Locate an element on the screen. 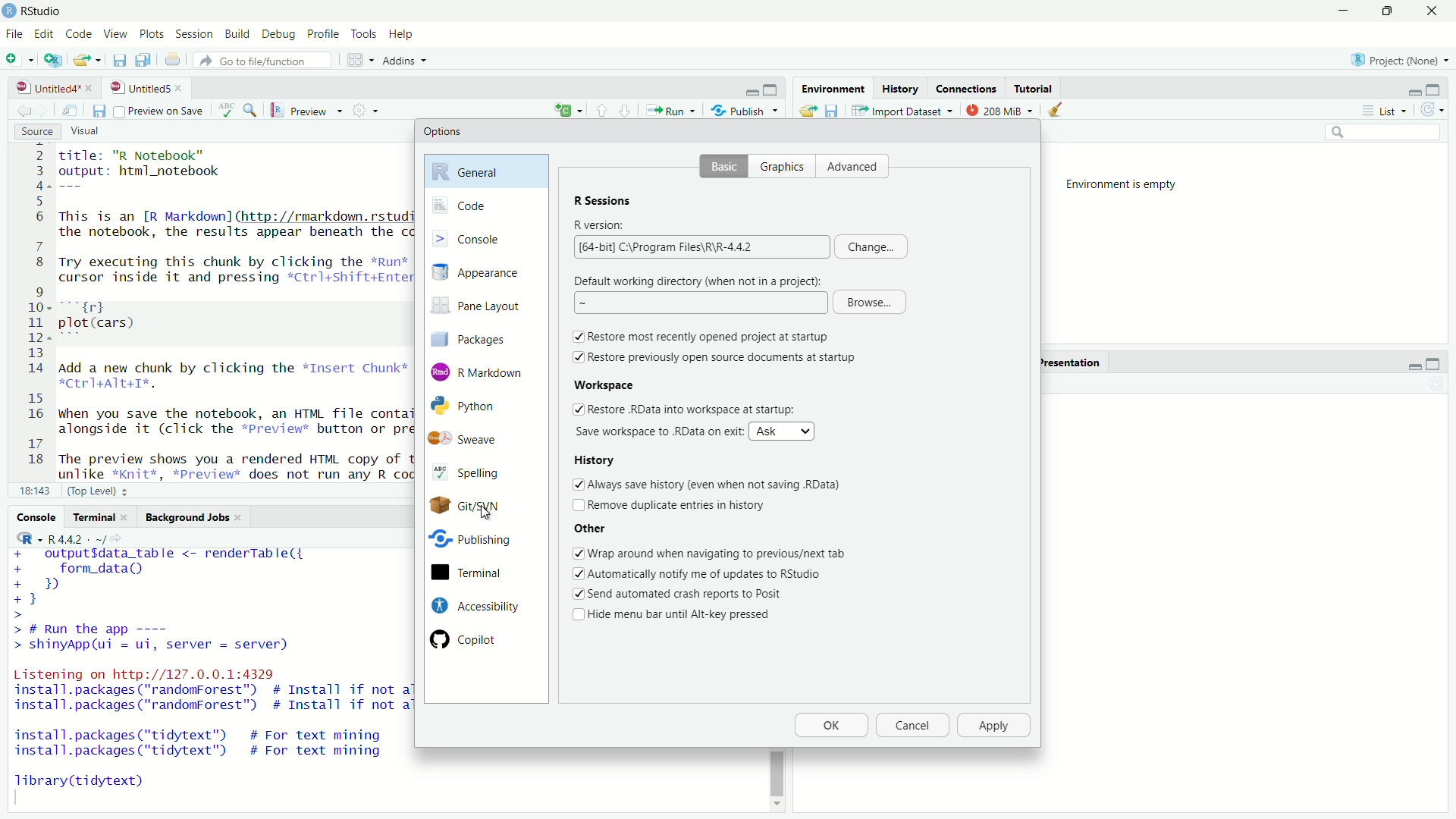  Restore RData into workspace at startup: is located at coordinates (692, 409).